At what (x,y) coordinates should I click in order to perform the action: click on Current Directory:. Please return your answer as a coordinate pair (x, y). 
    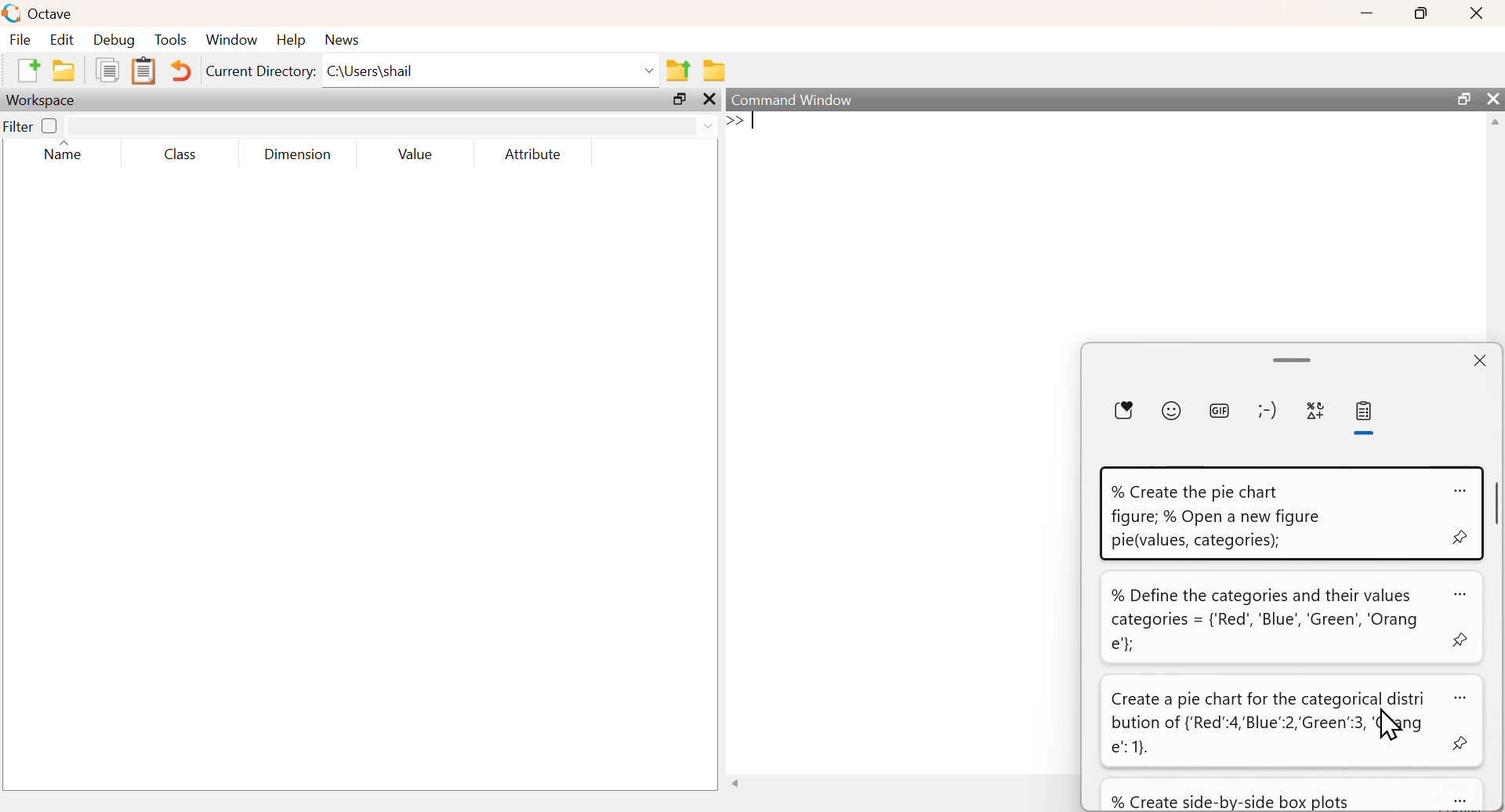
    Looking at the image, I should click on (260, 71).